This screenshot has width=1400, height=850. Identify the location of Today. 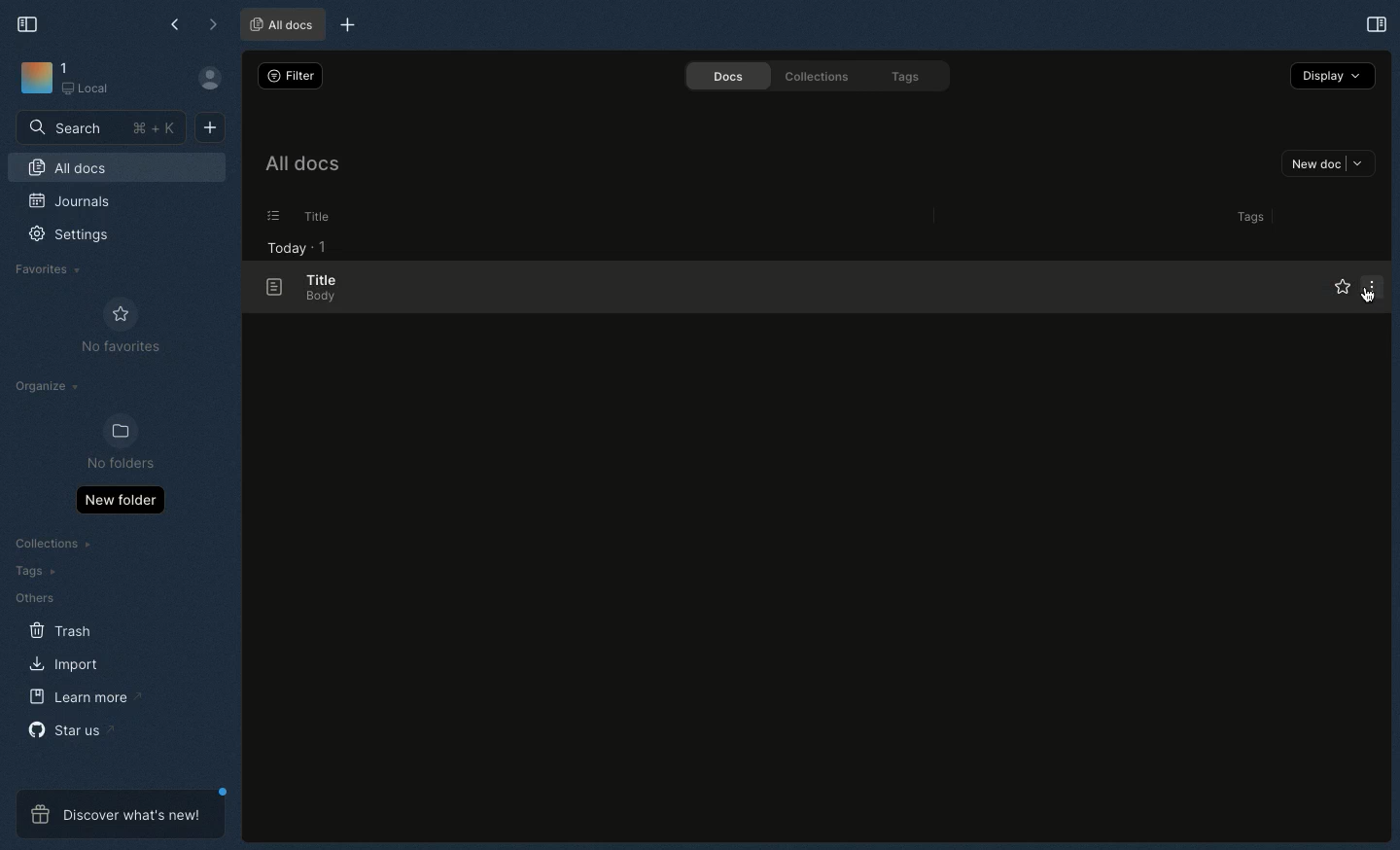
(281, 248).